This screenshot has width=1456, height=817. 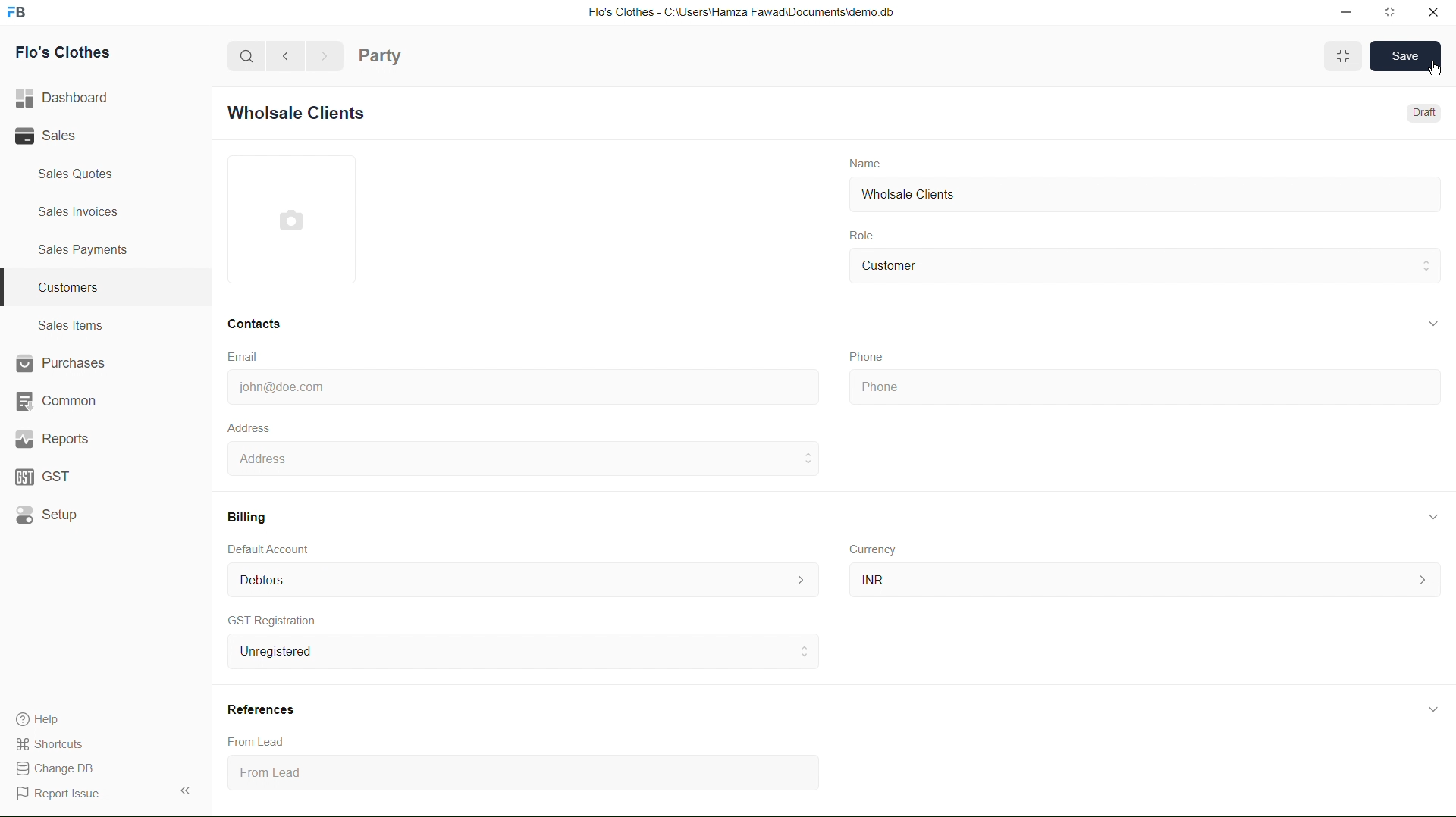 What do you see at coordinates (1126, 387) in the screenshot?
I see `phone` at bounding box center [1126, 387].